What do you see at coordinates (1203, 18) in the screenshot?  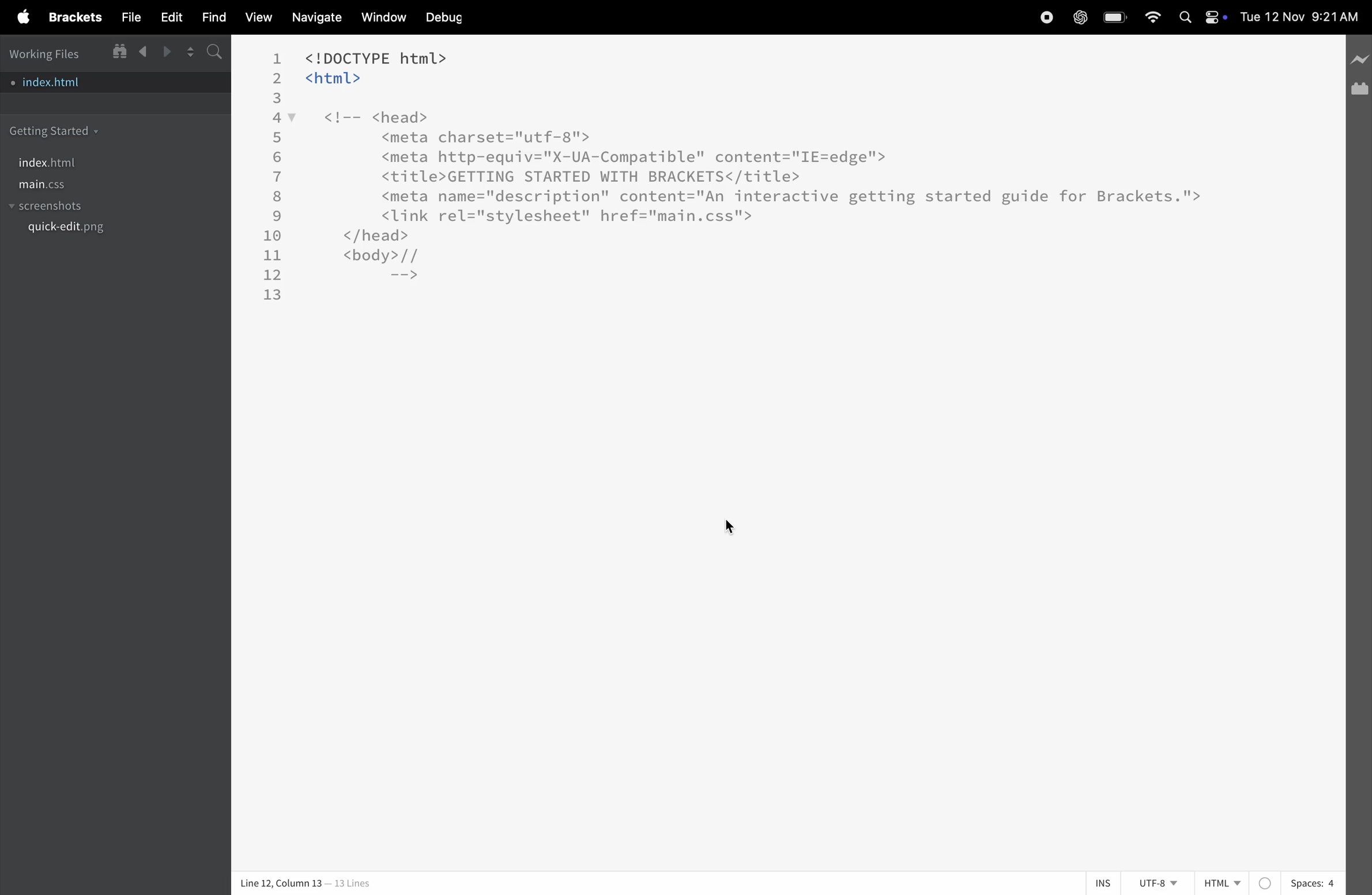 I see `apple widgets` at bounding box center [1203, 18].